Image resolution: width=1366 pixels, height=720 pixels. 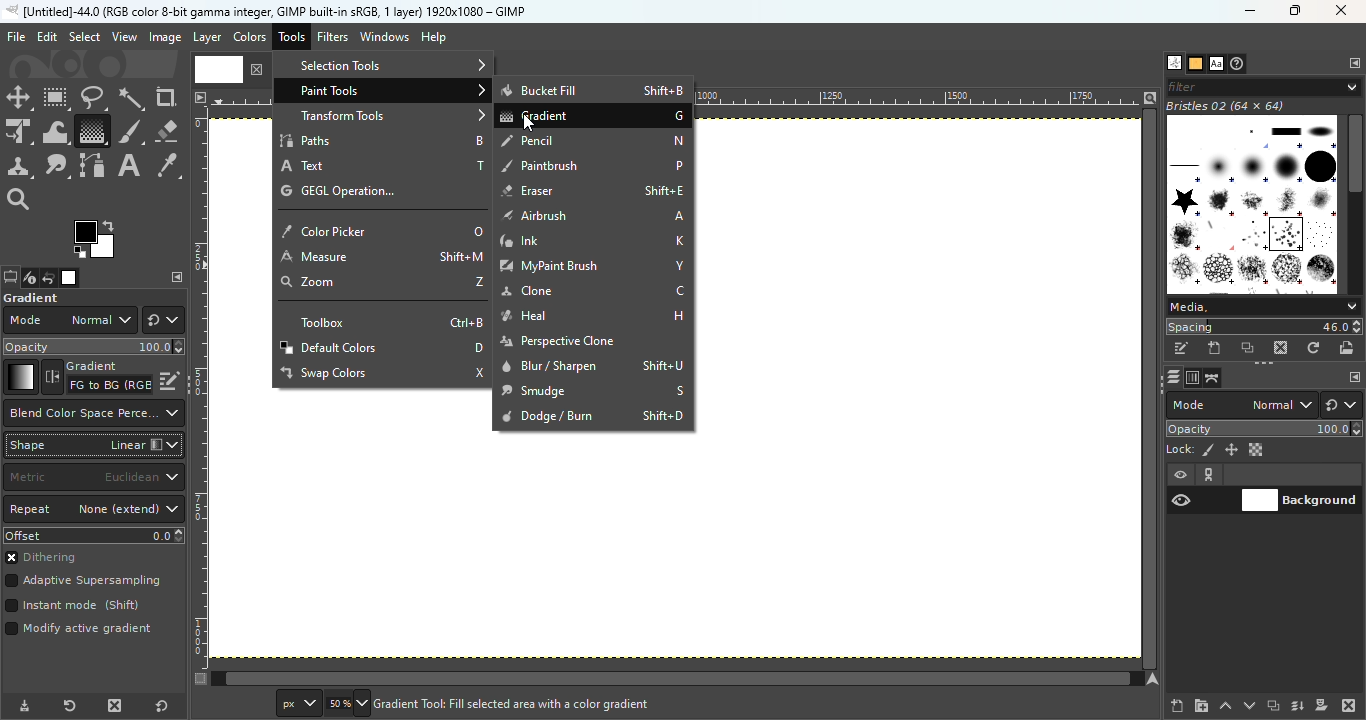 What do you see at coordinates (163, 320) in the screenshot?
I see `Switch to another group of modes` at bounding box center [163, 320].